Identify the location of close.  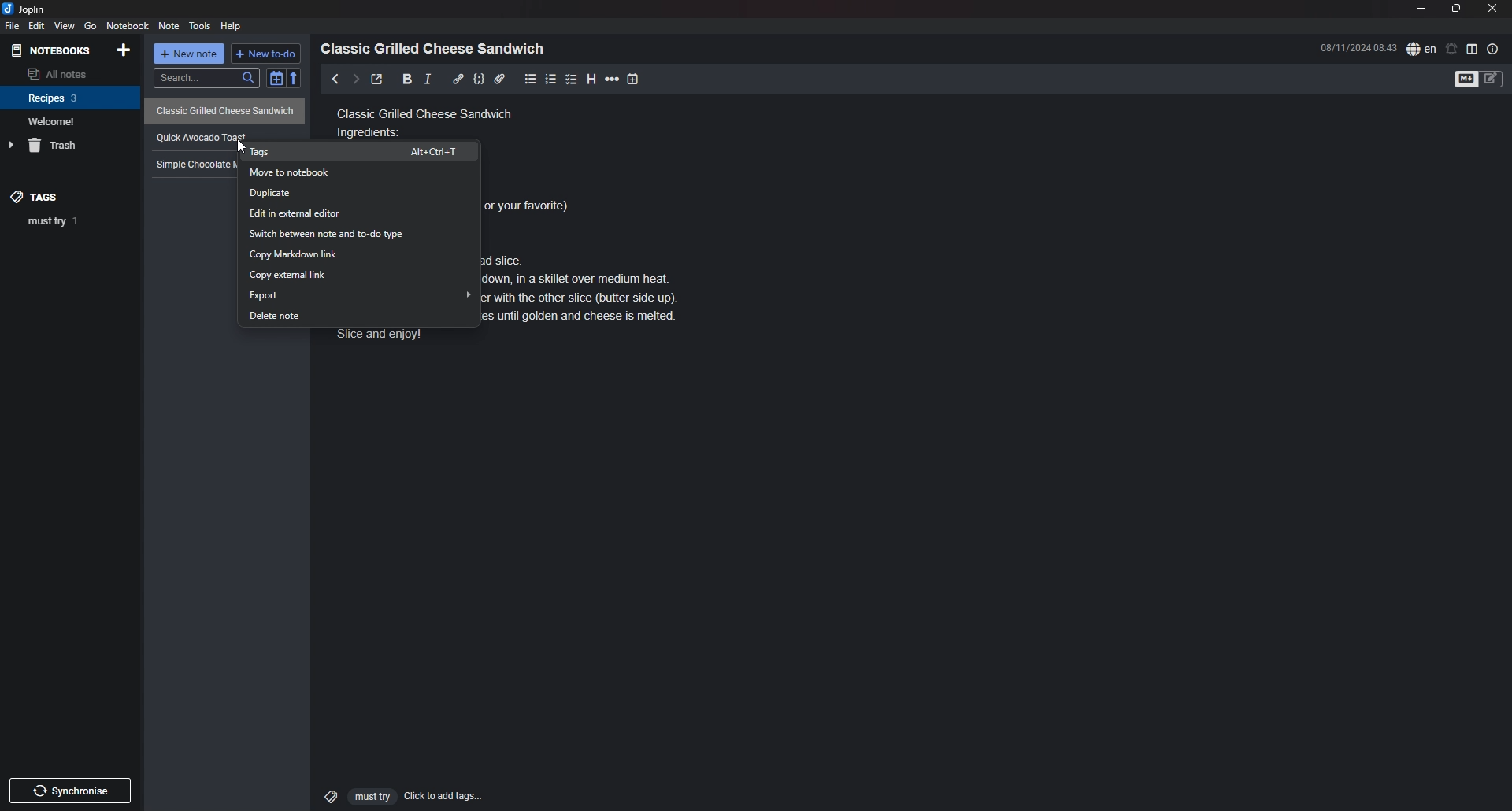
(1494, 8).